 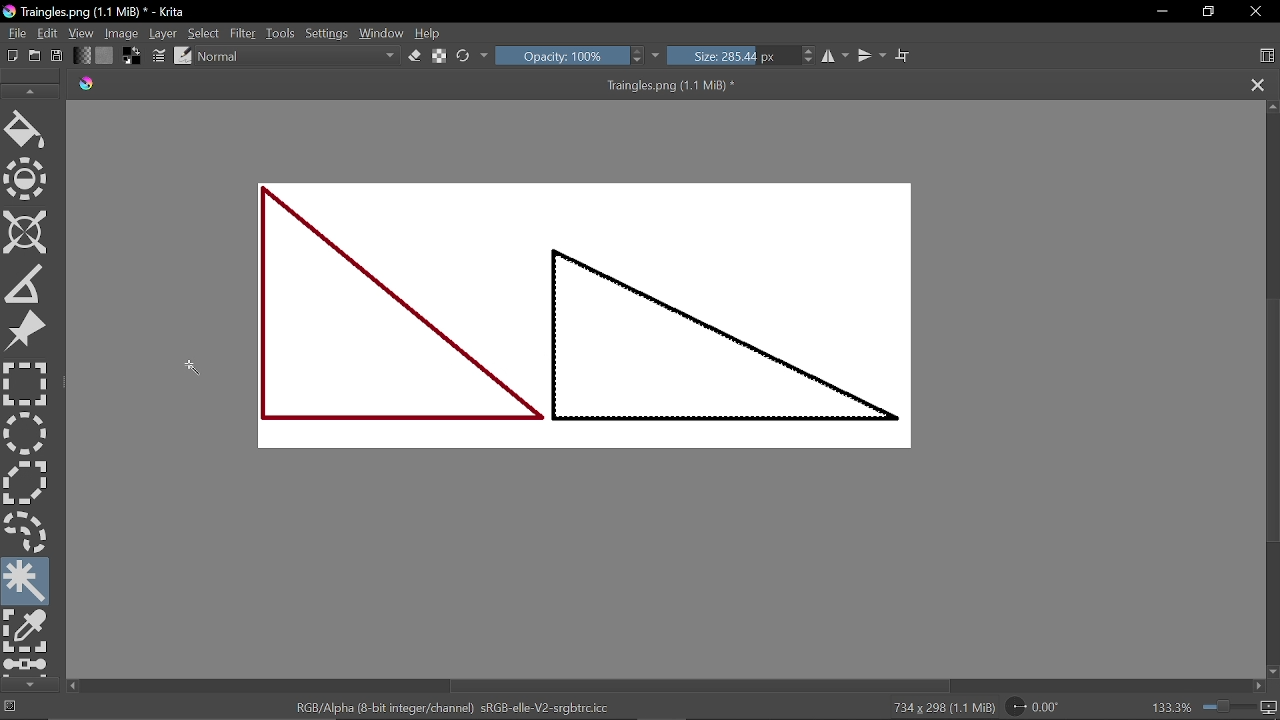 I want to click on Opacity, so click(x=560, y=55).